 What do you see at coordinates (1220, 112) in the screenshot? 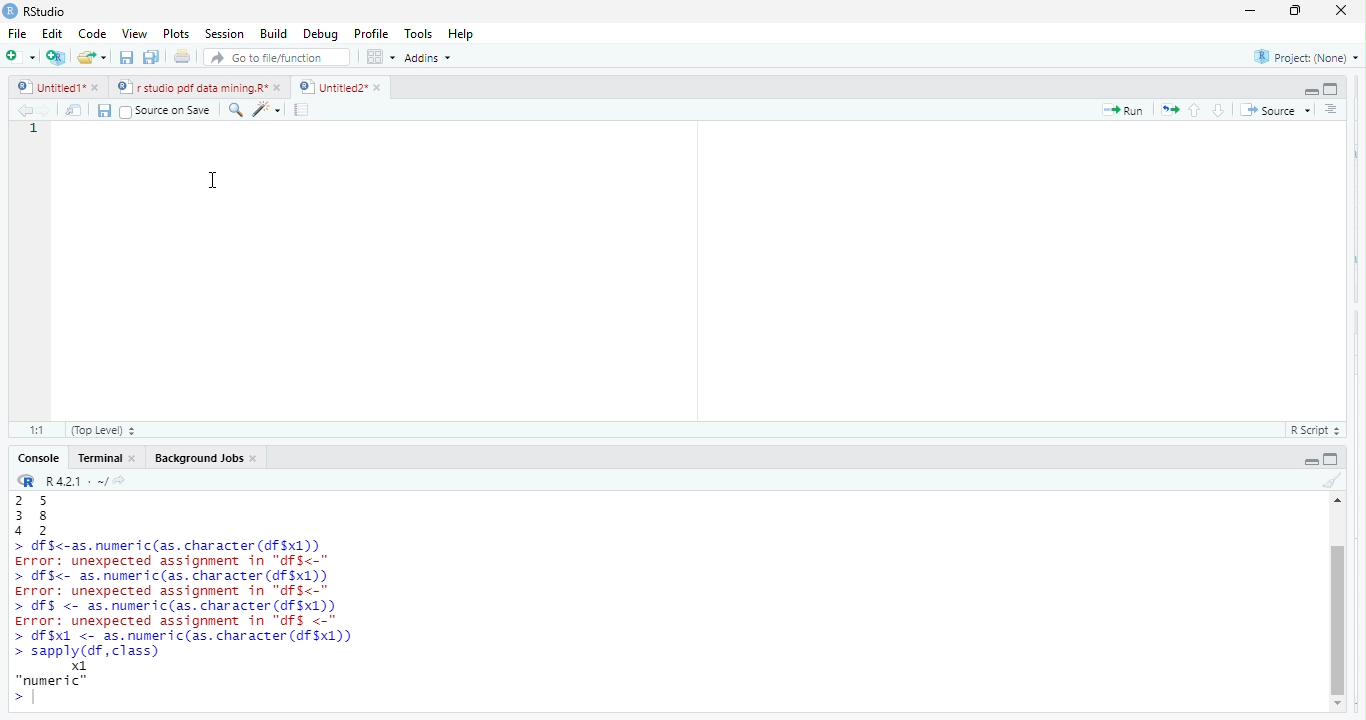
I see `go to next section /chunk` at bounding box center [1220, 112].